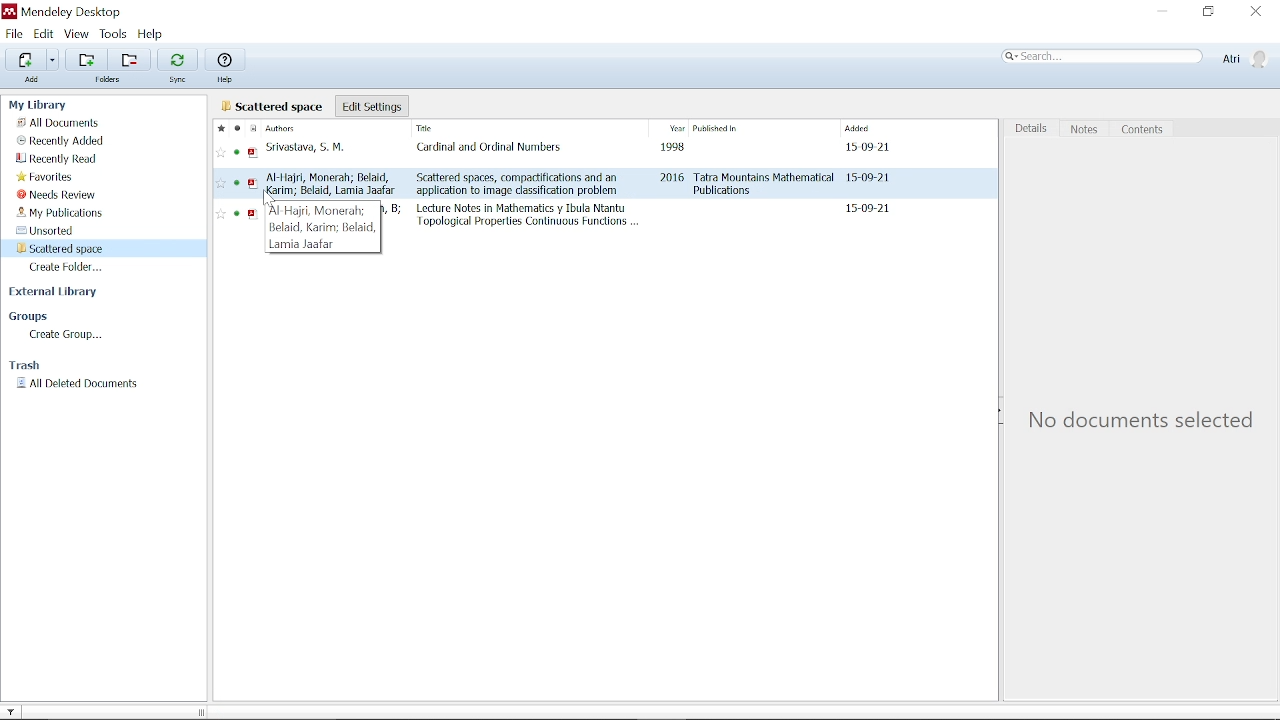 The height and width of the screenshot is (720, 1280). I want to click on documents selected, so click(292, 712).